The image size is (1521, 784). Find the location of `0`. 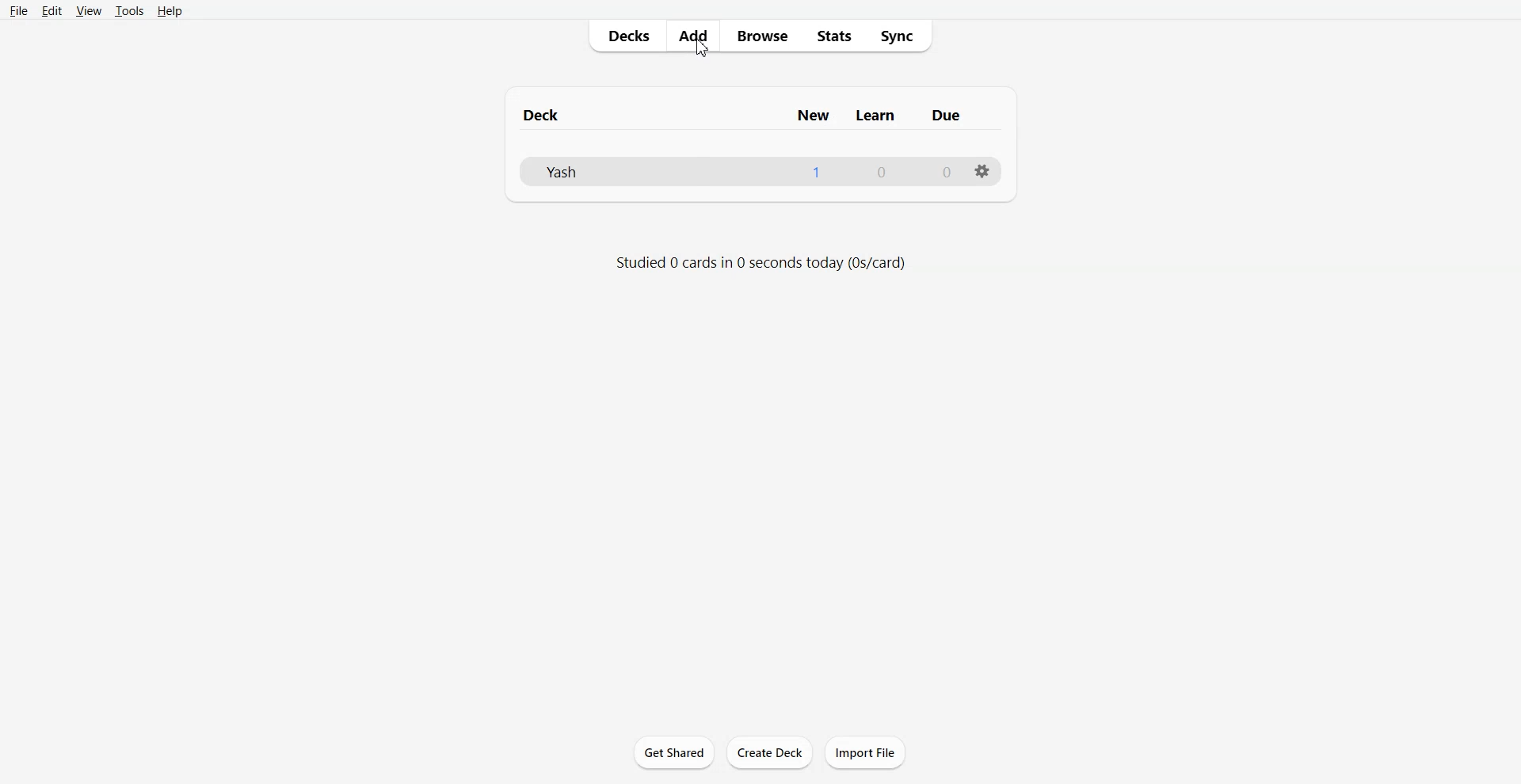

0 is located at coordinates (888, 173).